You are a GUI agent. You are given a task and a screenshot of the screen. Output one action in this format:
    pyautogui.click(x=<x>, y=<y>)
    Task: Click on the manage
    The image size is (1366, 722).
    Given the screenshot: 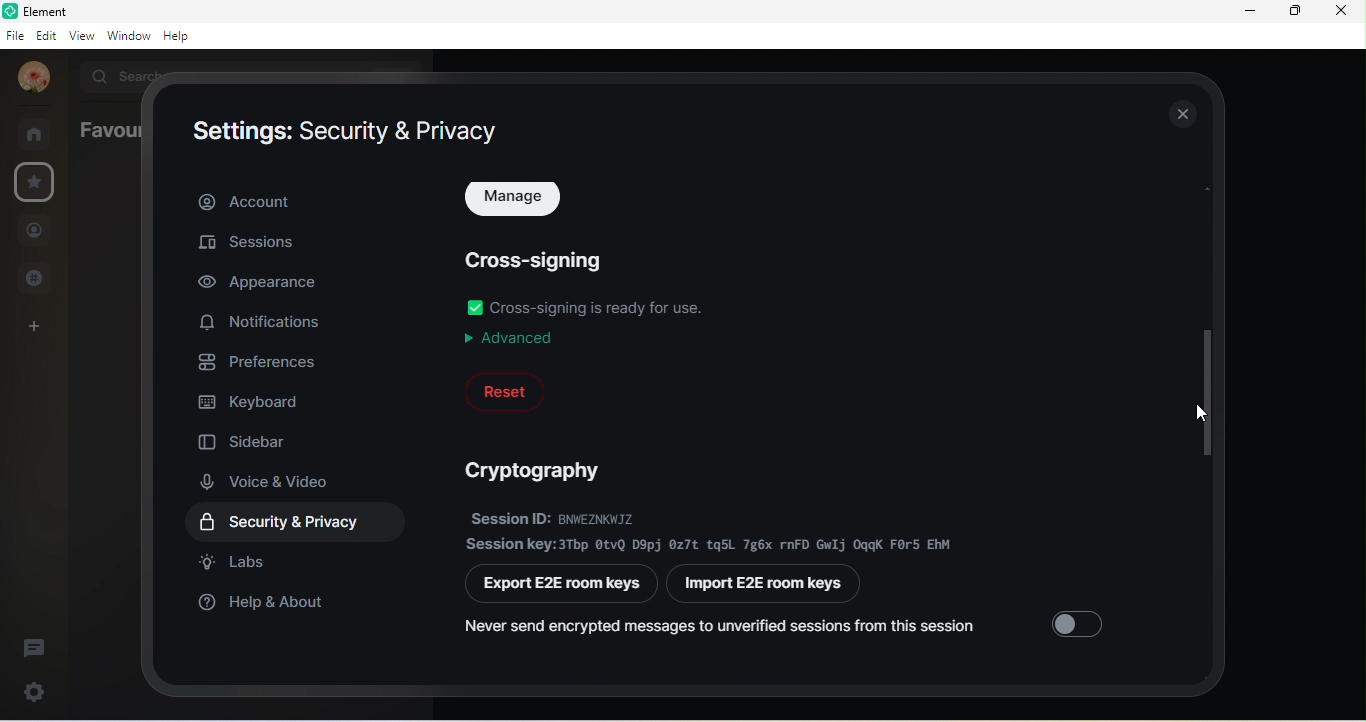 What is the action you would take?
    pyautogui.click(x=516, y=201)
    